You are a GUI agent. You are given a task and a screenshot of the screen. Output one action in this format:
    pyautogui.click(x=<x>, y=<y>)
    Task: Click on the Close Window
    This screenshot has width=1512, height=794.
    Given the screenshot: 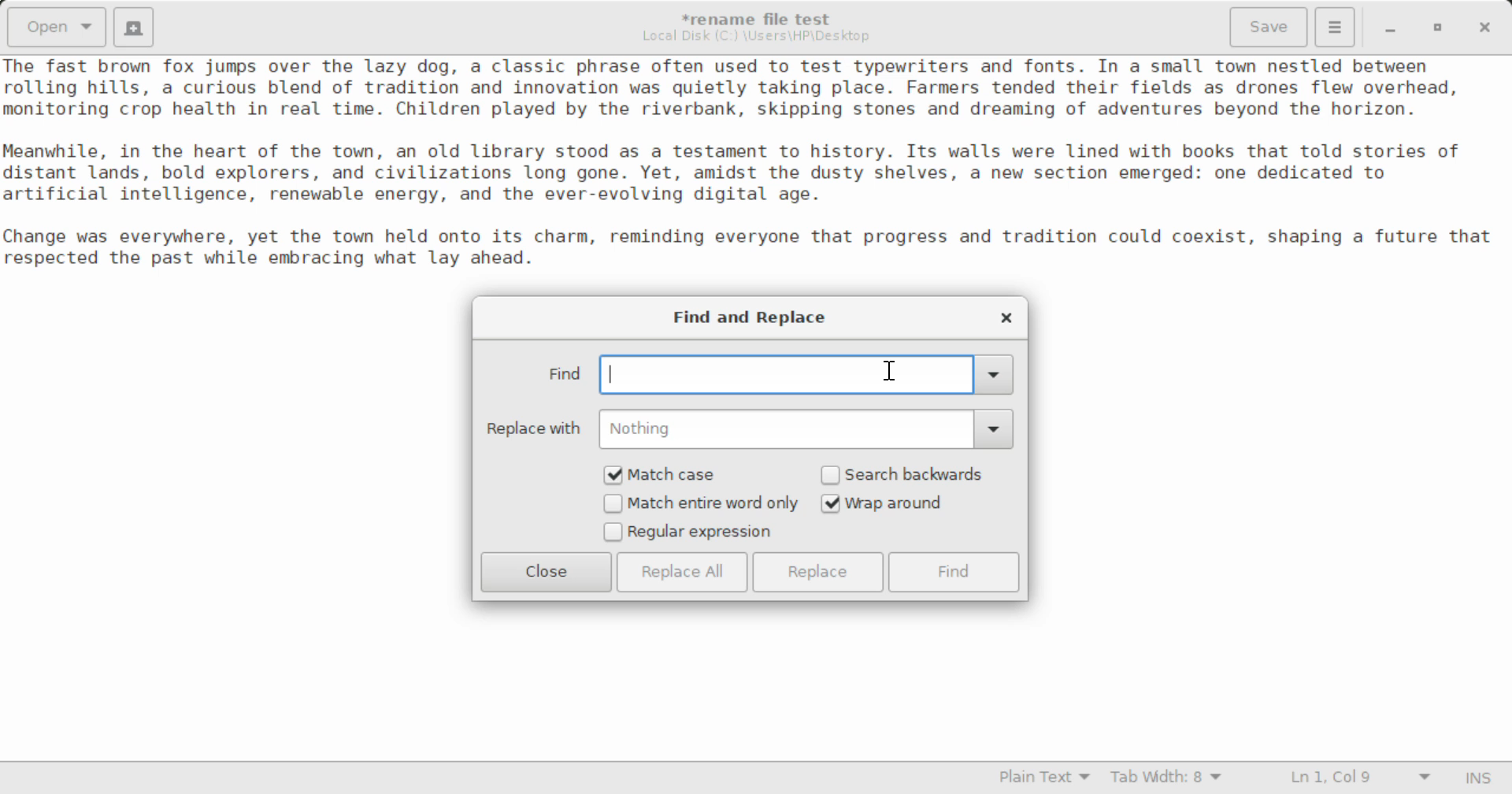 What is the action you would take?
    pyautogui.click(x=1482, y=27)
    